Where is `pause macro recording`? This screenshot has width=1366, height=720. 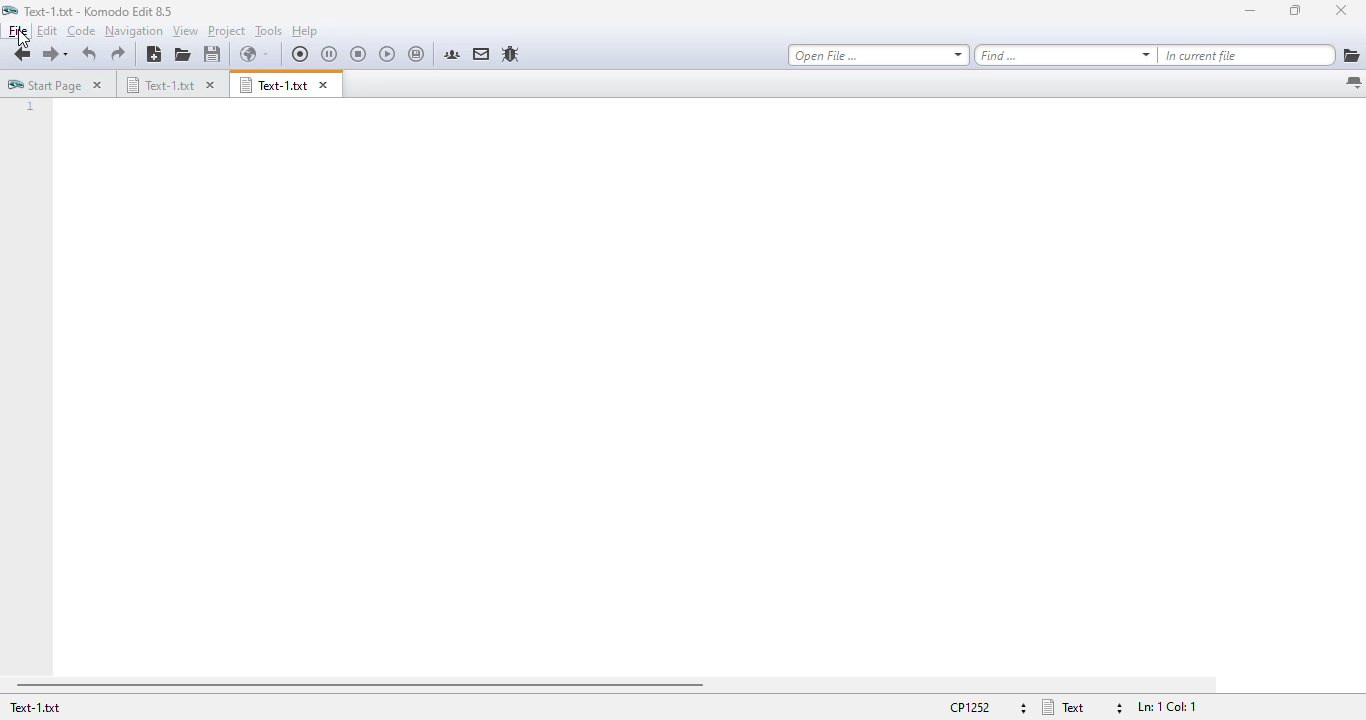
pause macro recording is located at coordinates (329, 55).